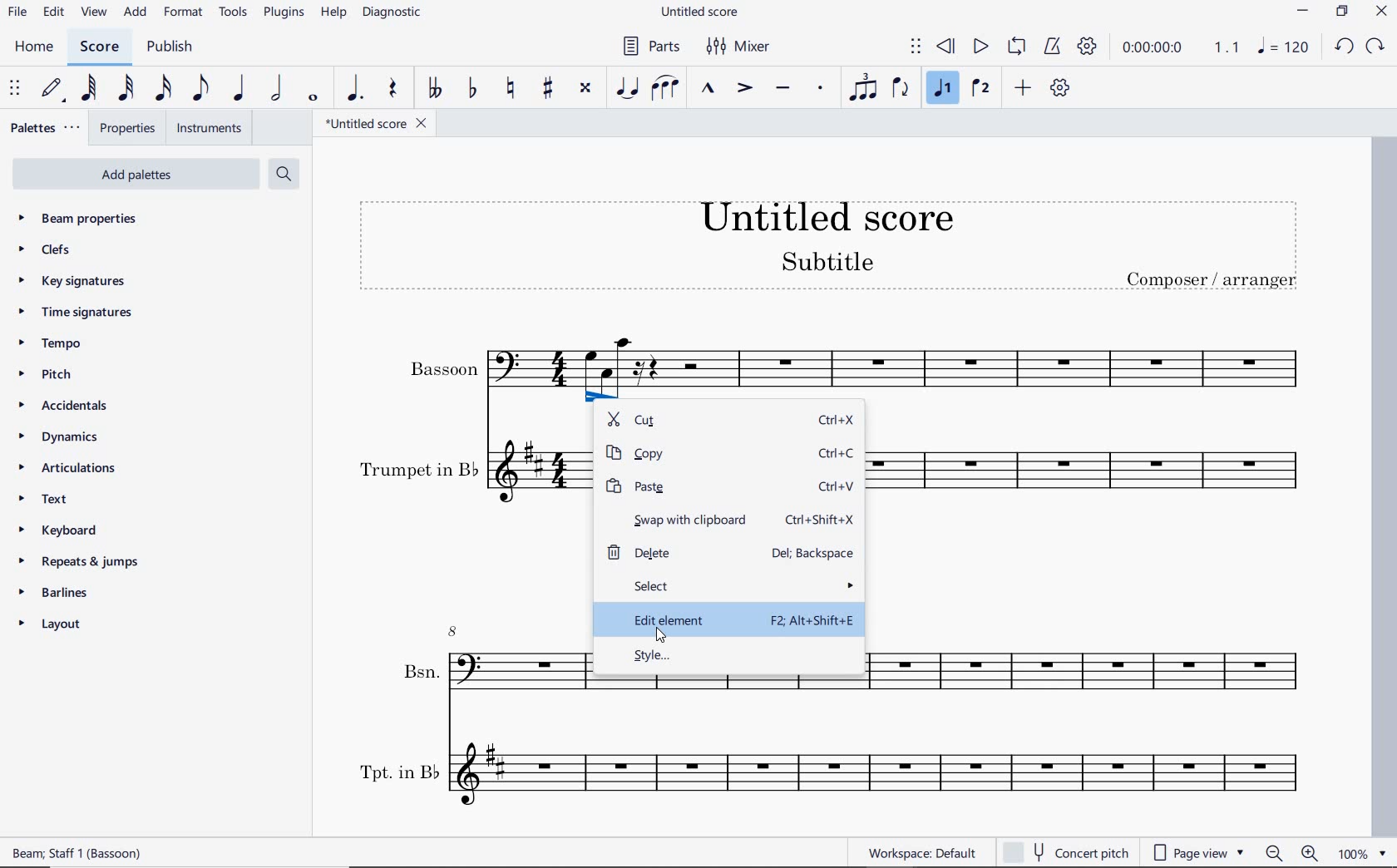 The width and height of the screenshot is (1397, 868). I want to click on beam properties, so click(88, 218).